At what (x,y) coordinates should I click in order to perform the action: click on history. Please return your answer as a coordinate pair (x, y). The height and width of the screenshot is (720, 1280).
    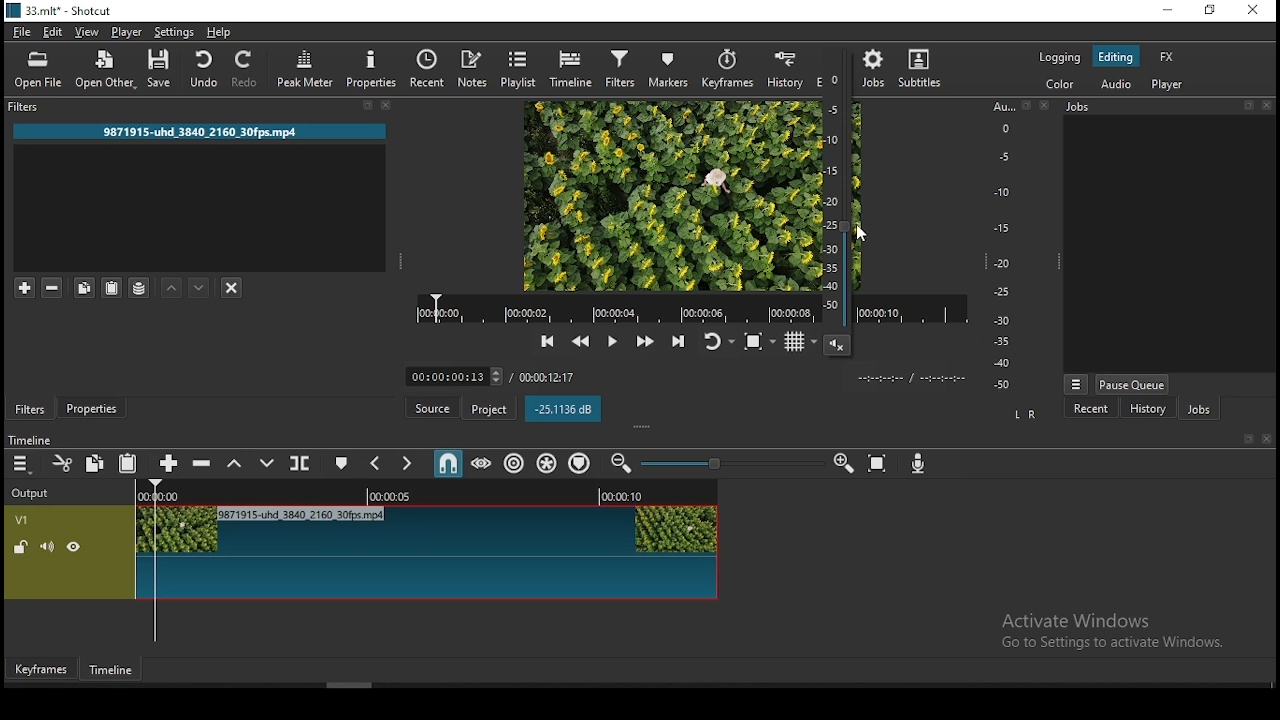
    Looking at the image, I should click on (1149, 407).